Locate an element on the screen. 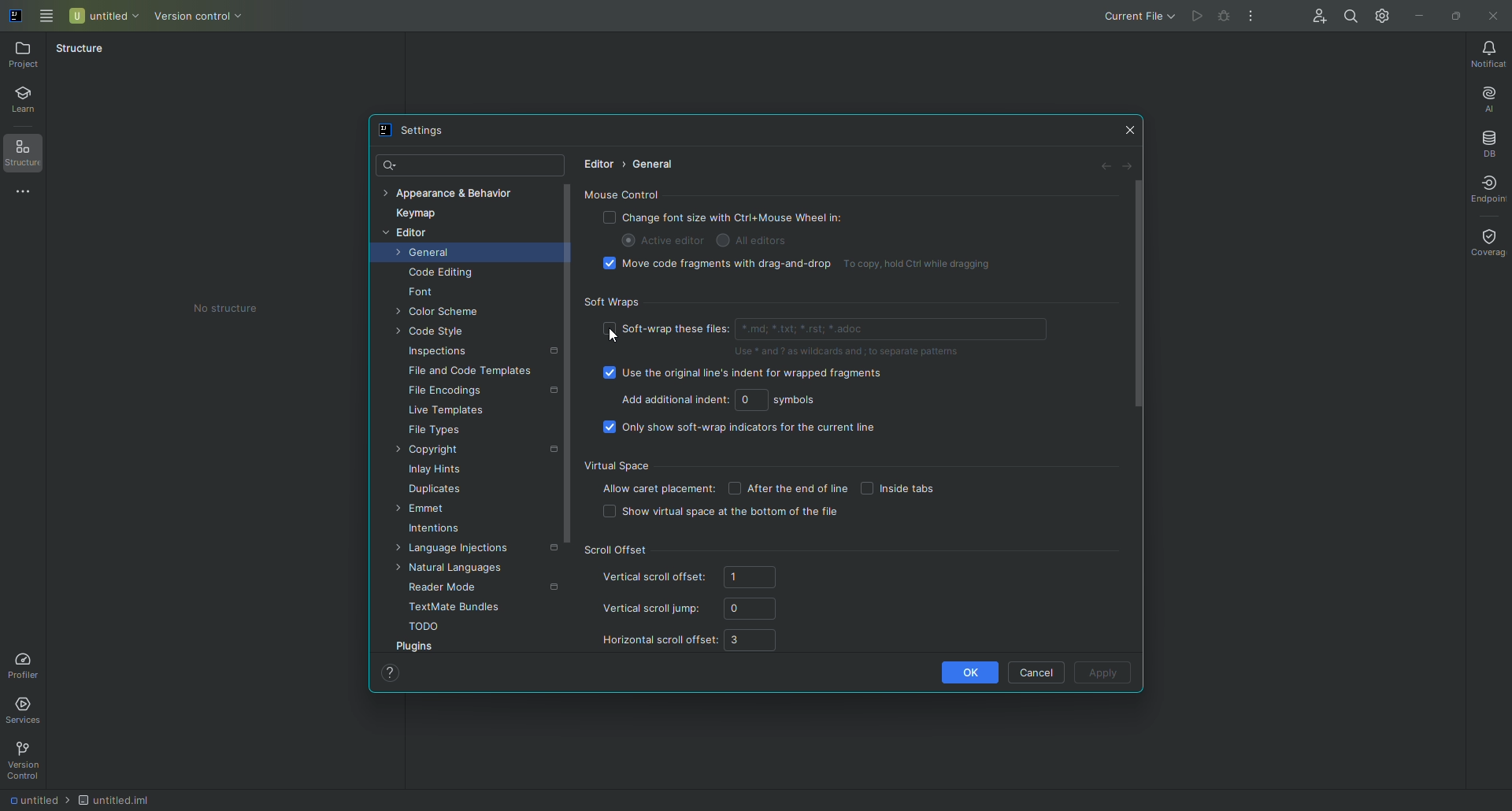  Softwraps is located at coordinates (611, 304).